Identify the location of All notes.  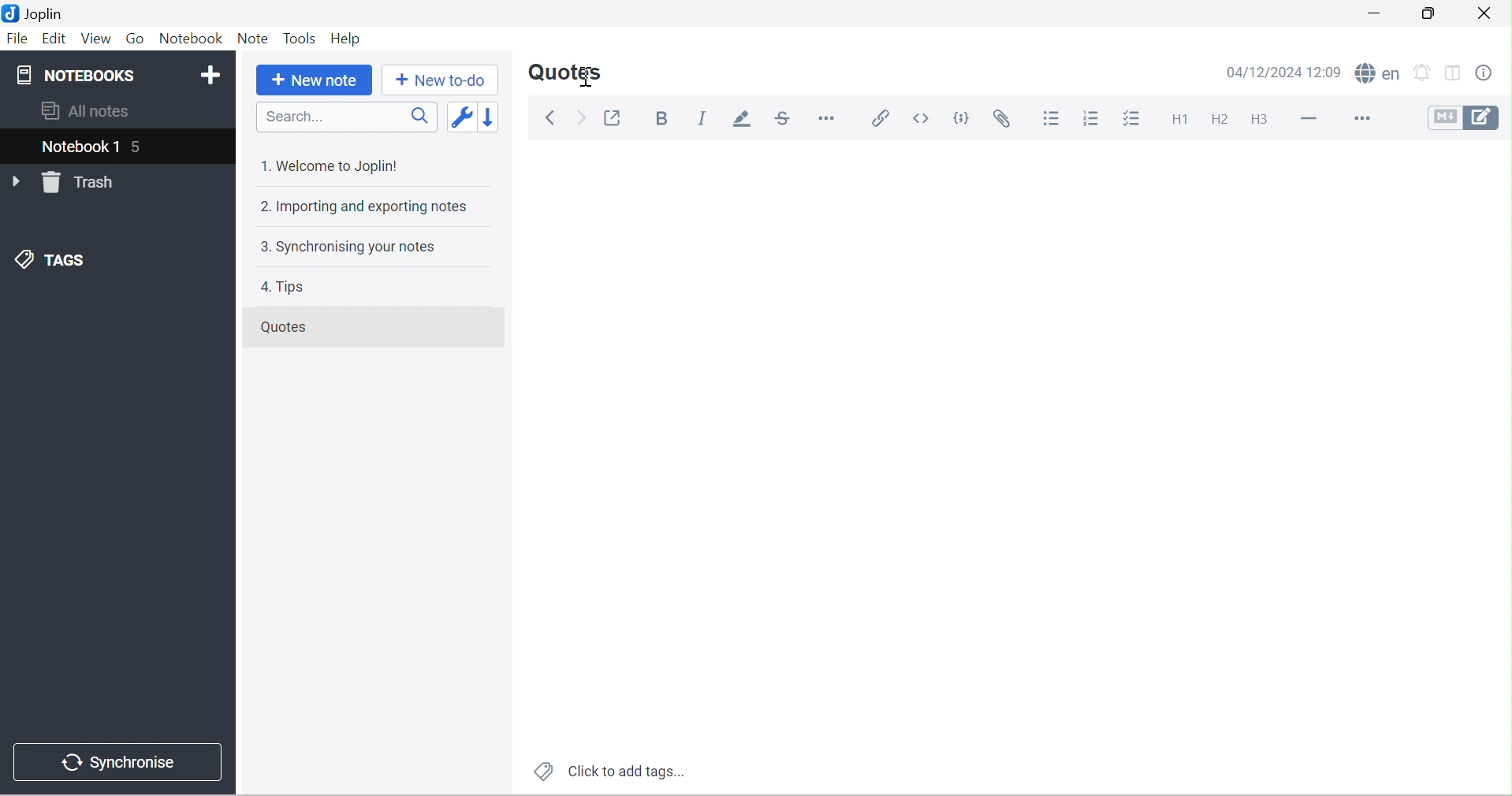
(86, 111).